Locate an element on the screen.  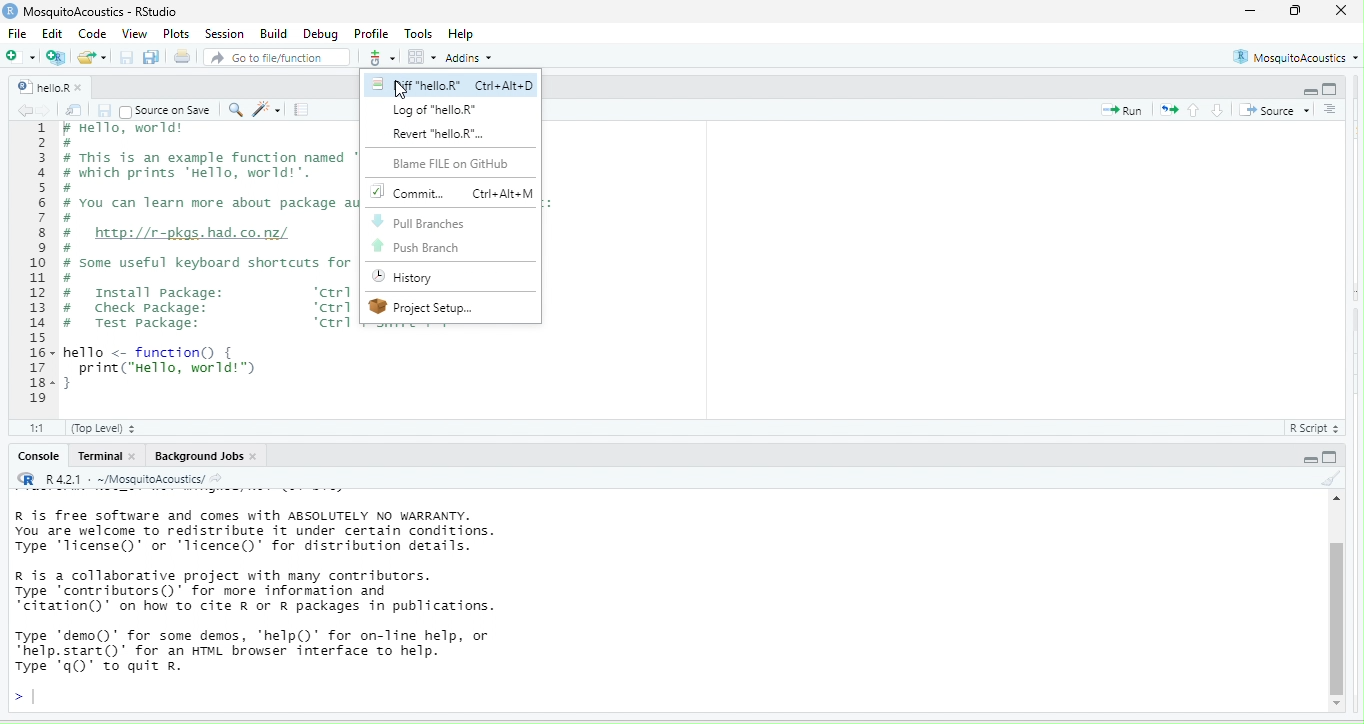
git is located at coordinates (380, 57).